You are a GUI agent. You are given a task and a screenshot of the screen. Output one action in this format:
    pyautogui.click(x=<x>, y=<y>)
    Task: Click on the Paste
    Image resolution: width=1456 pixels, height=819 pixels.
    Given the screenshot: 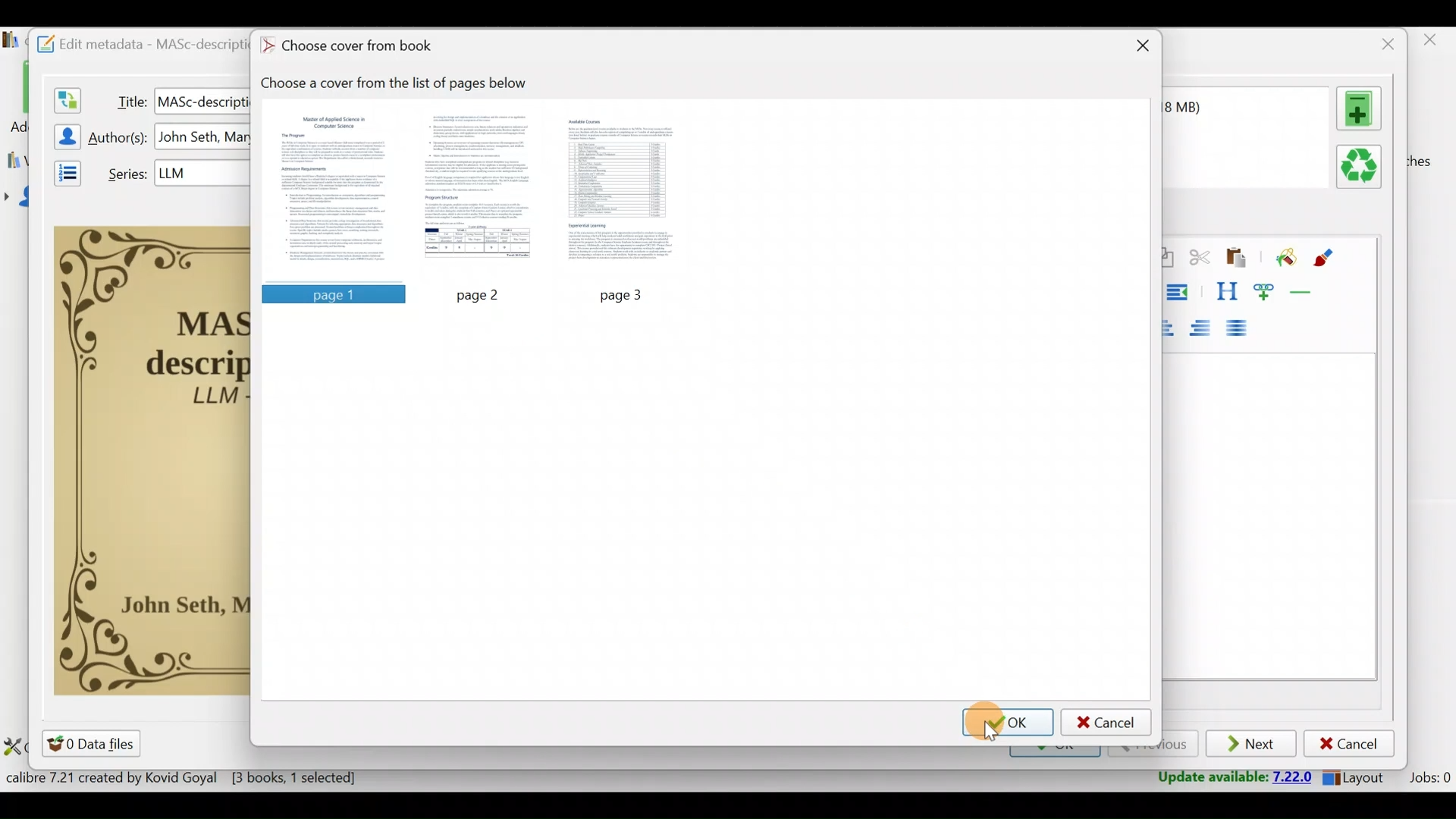 What is the action you would take?
    pyautogui.click(x=1239, y=259)
    